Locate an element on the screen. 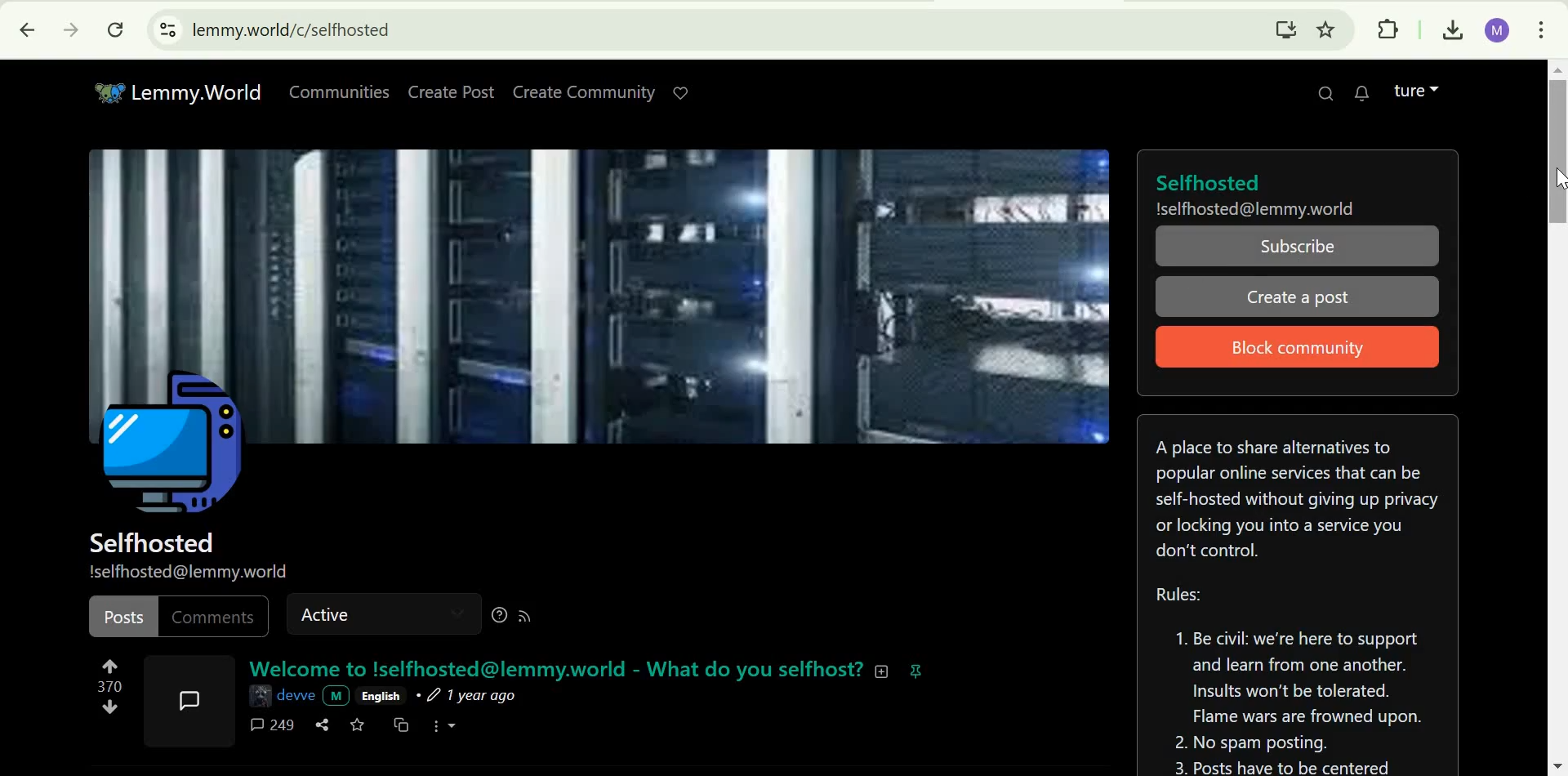  selfhosted is located at coordinates (1263, 181).